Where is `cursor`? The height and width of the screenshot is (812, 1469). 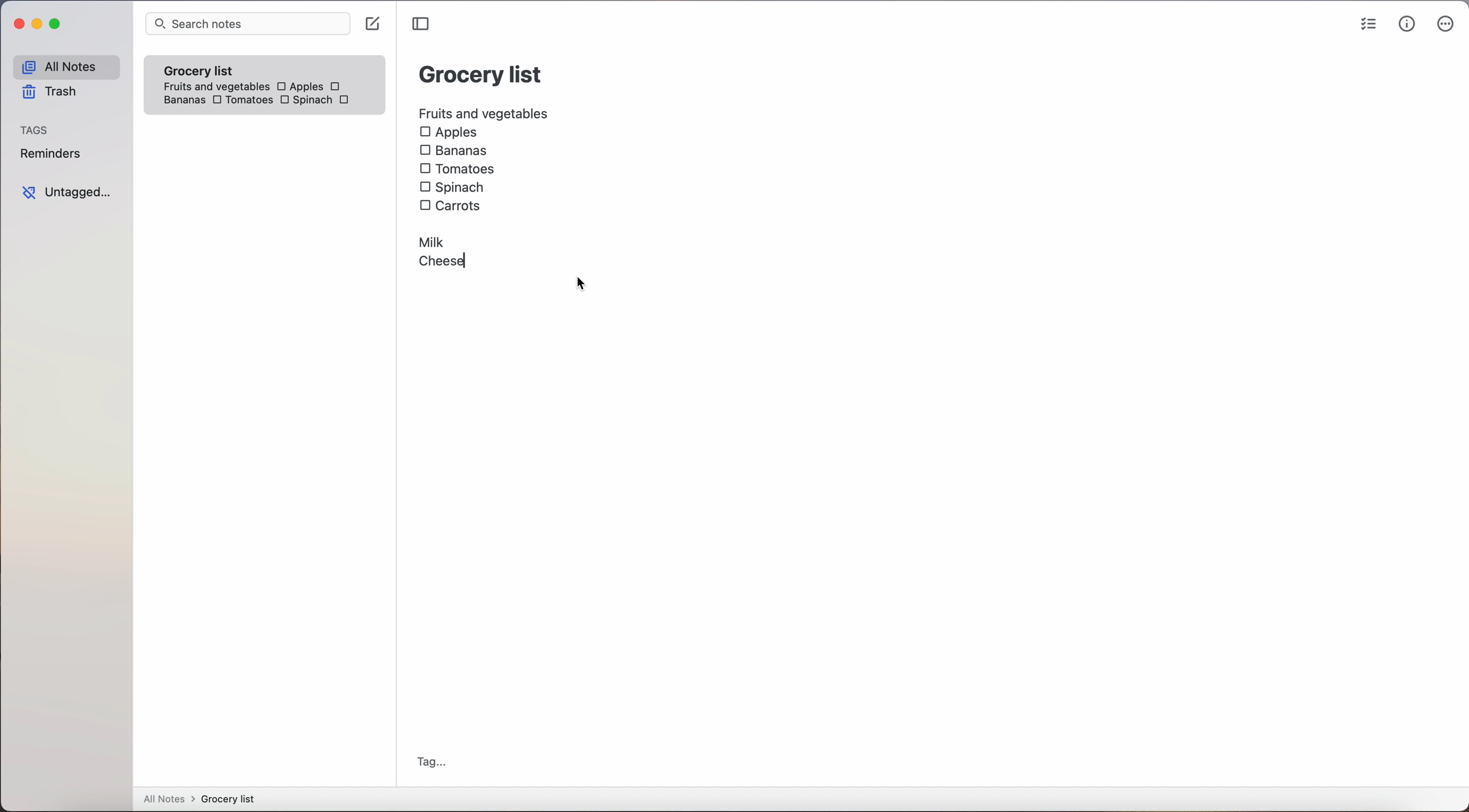
cursor is located at coordinates (581, 285).